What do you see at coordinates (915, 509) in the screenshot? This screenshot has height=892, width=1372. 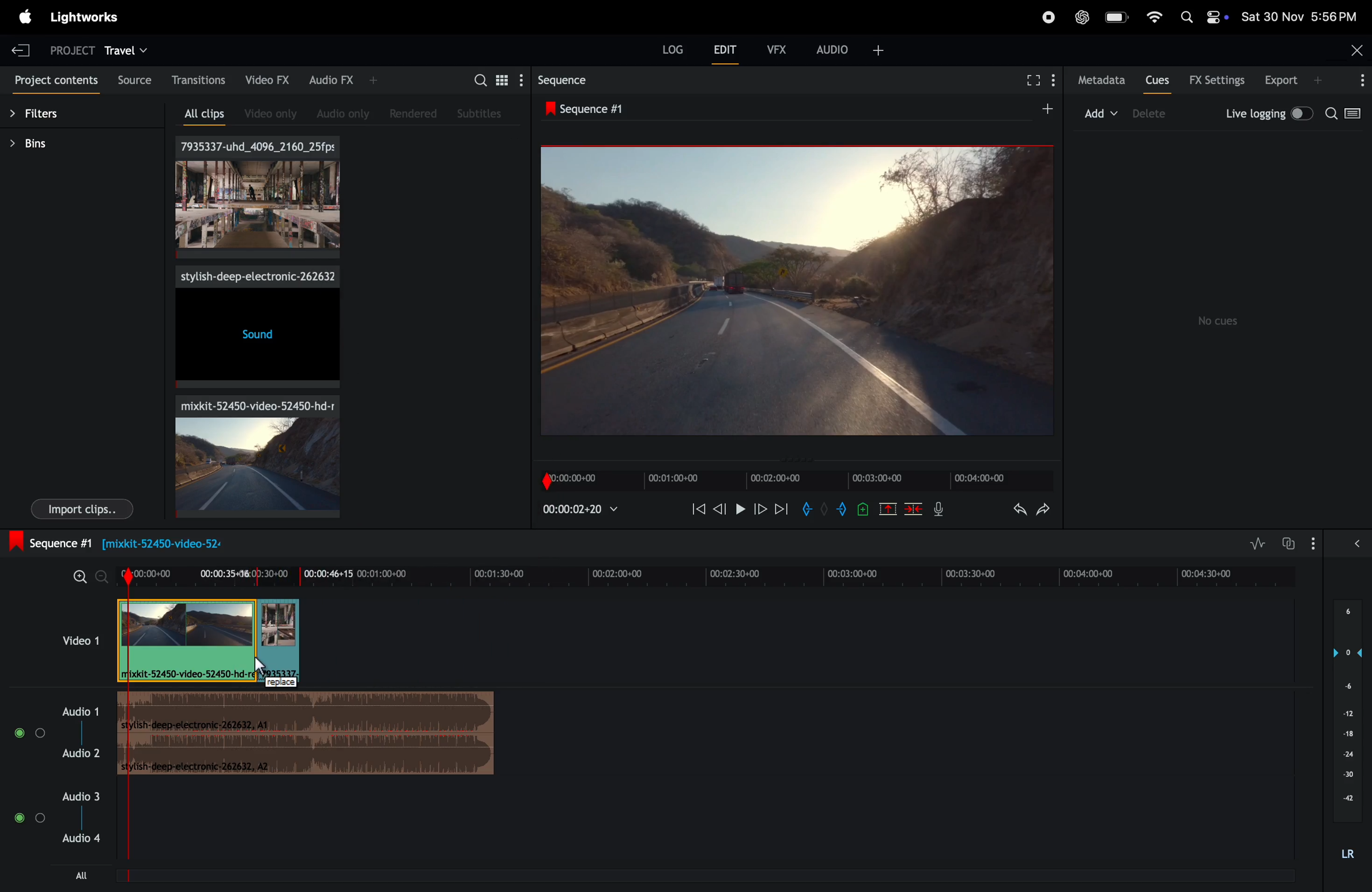 I see `delete` at bounding box center [915, 509].